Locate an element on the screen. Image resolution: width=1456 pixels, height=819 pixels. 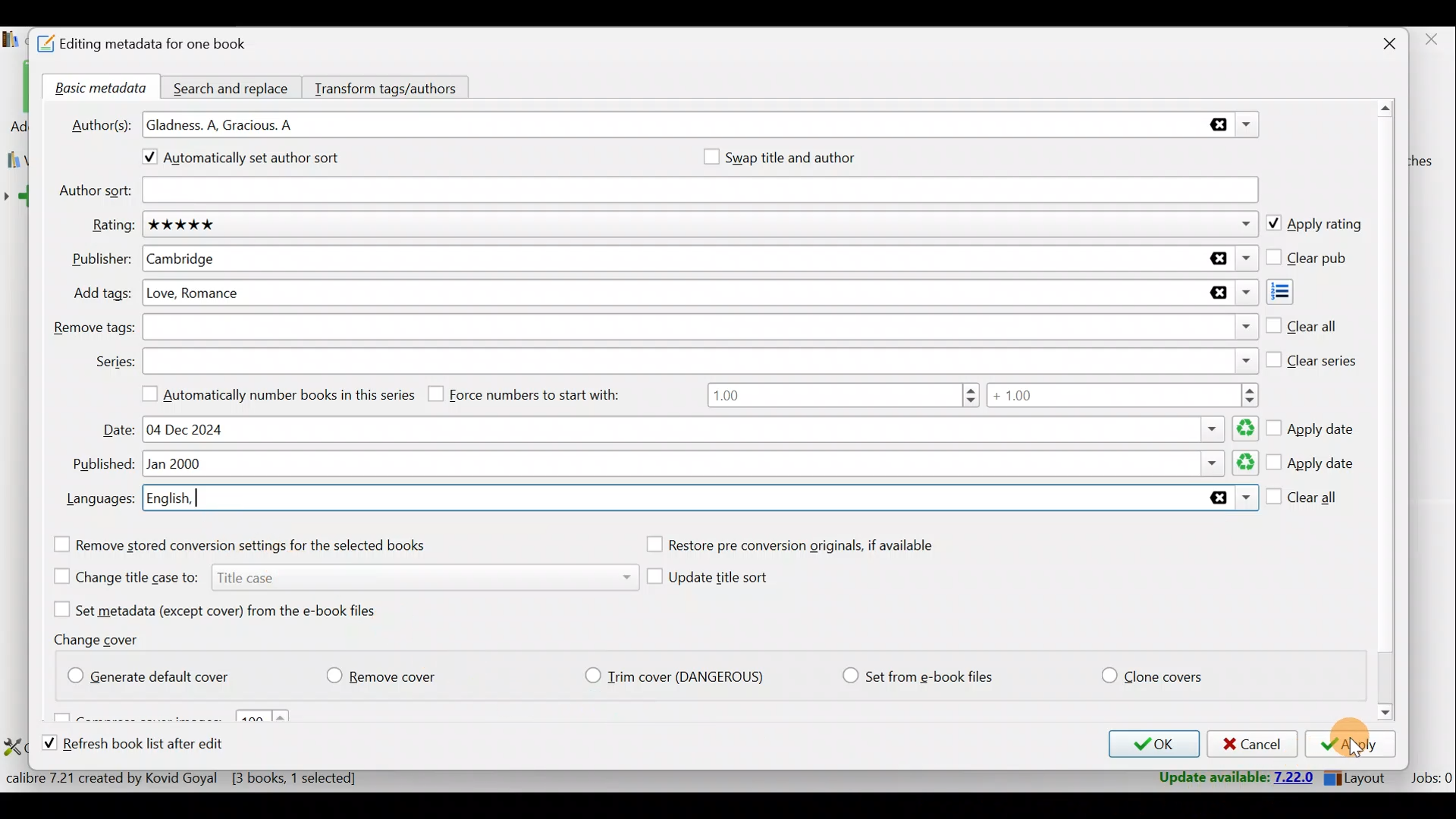
Apply is located at coordinates (1355, 746).